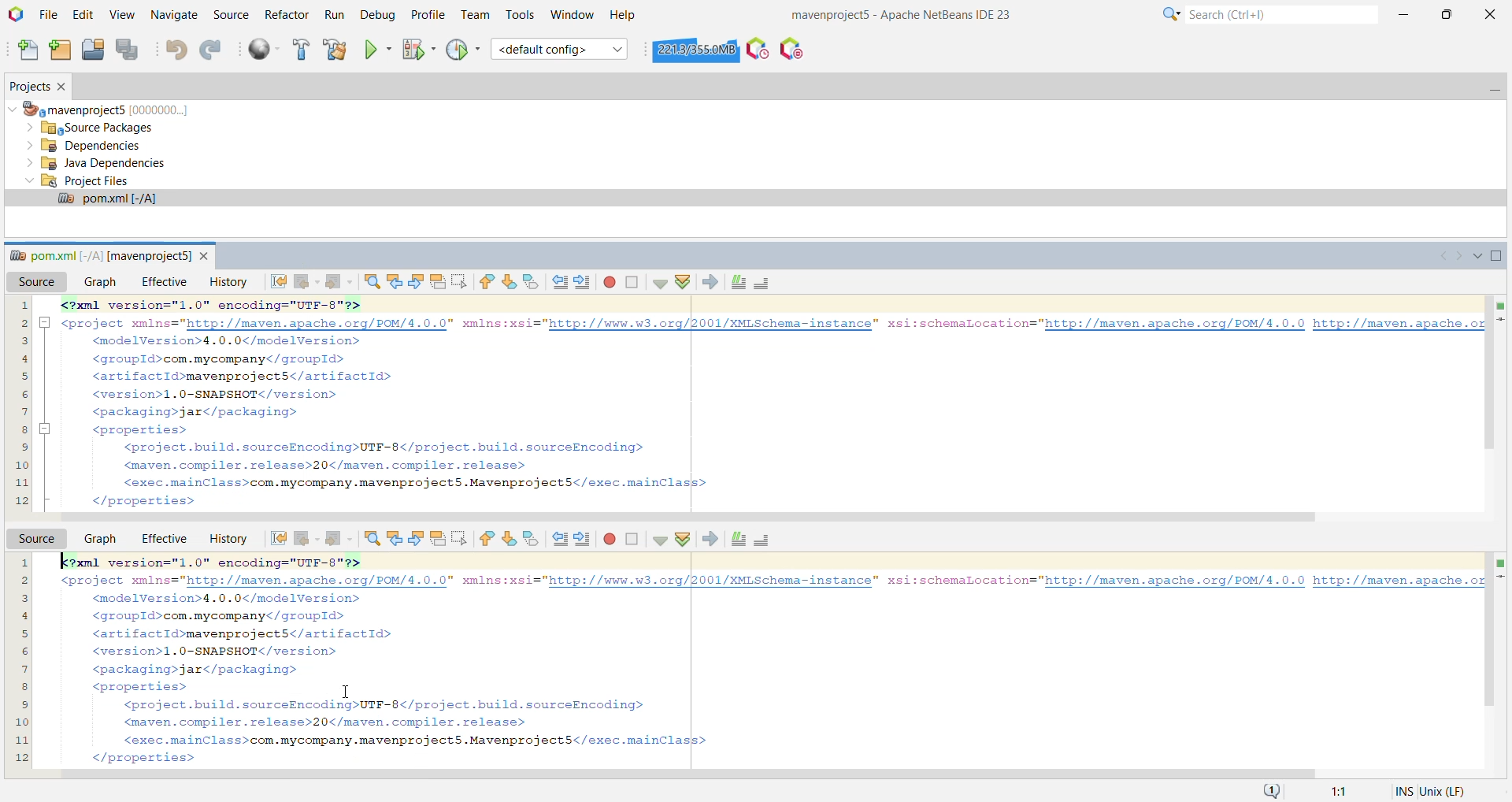 This screenshot has width=1512, height=802. I want to click on Debug, so click(376, 16).